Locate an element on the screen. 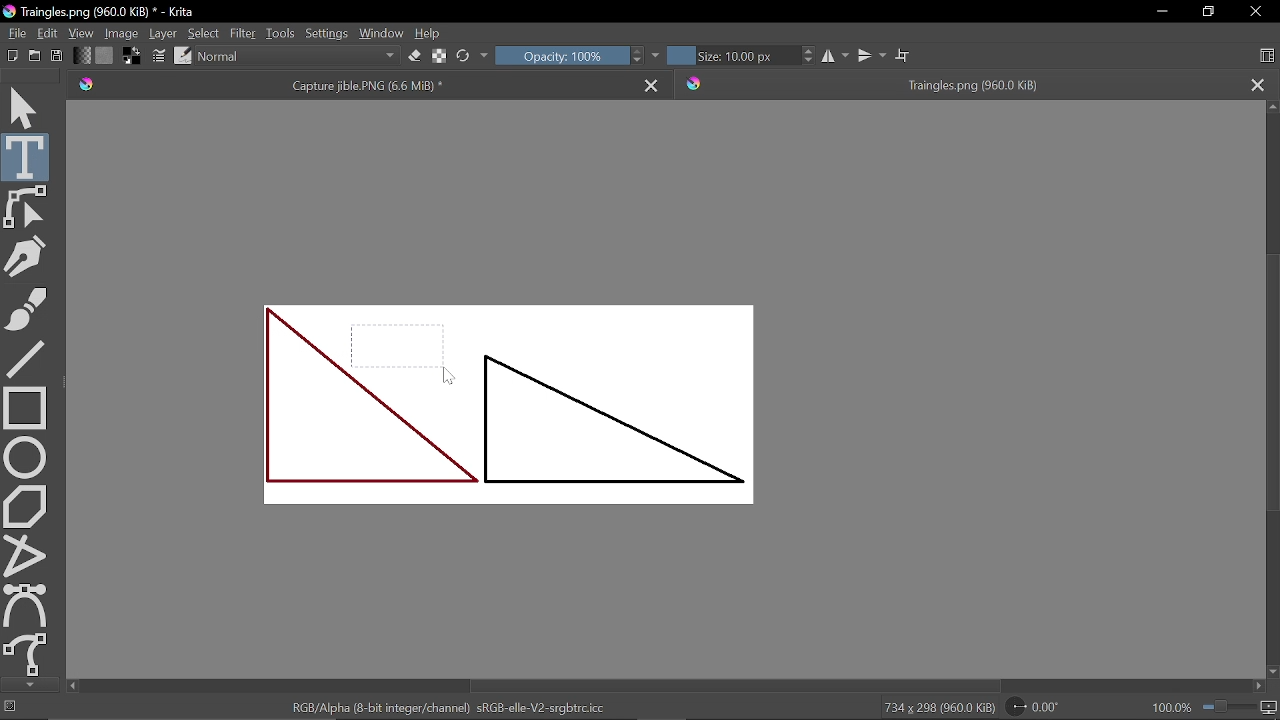 This screenshot has height=720, width=1280. vertical scrollbar is located at coordinates (1269, 379).